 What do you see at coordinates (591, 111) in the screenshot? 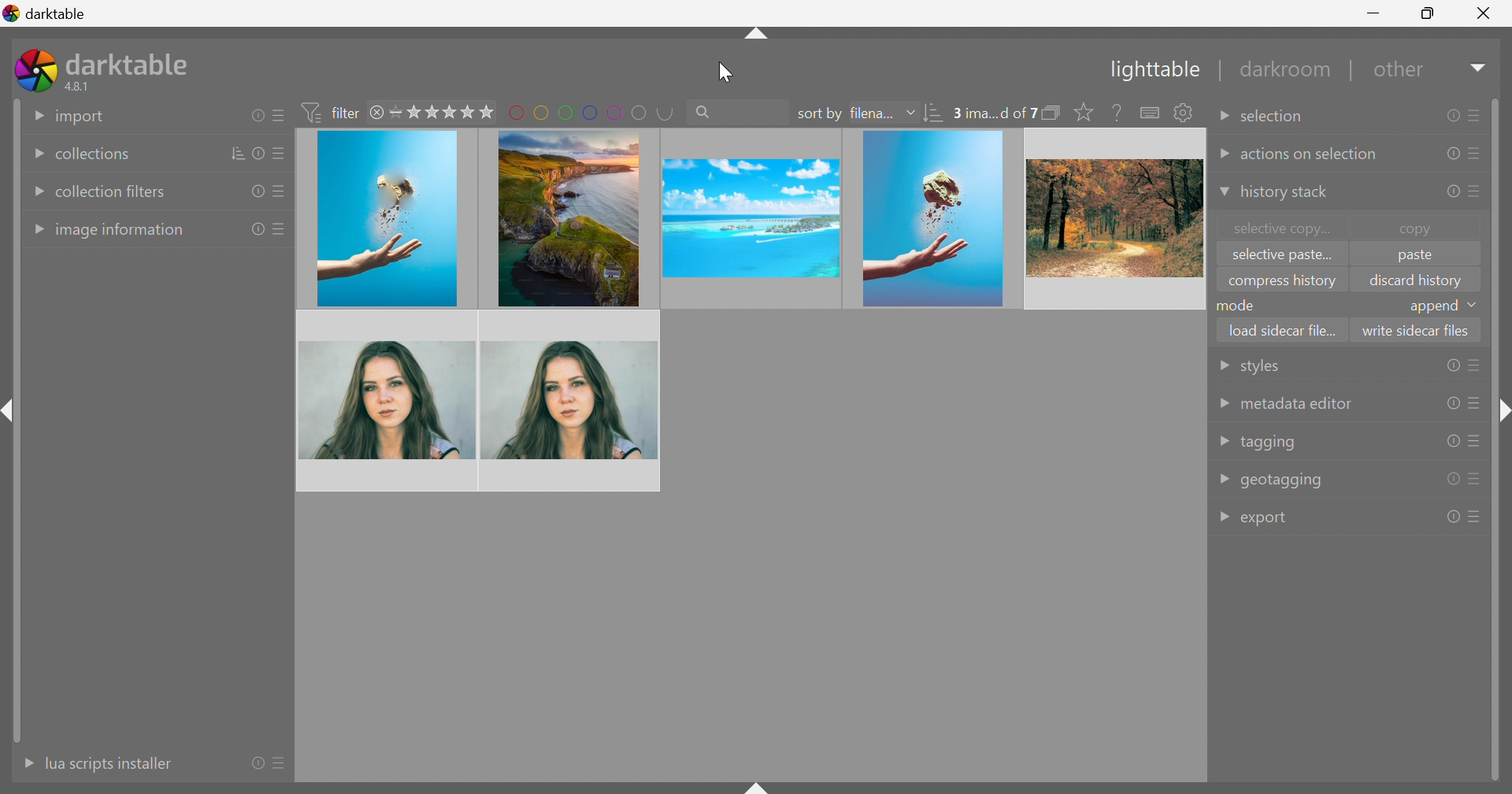
I see `filter by images color label` at bounding box center [591, 111].